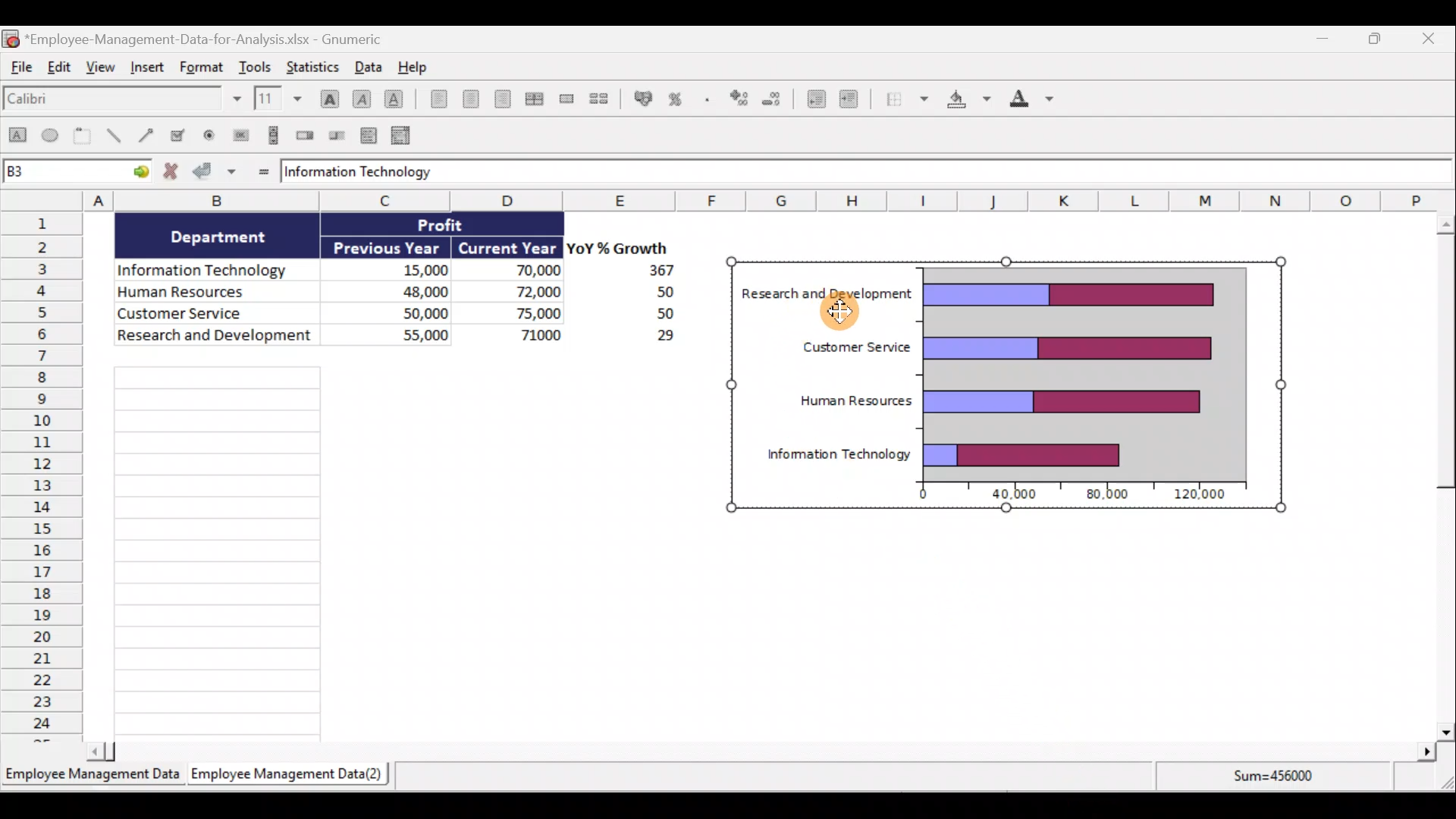 This screenshot has height=819, width=1456. I want to click on Scroll bar, so click(764, 754).